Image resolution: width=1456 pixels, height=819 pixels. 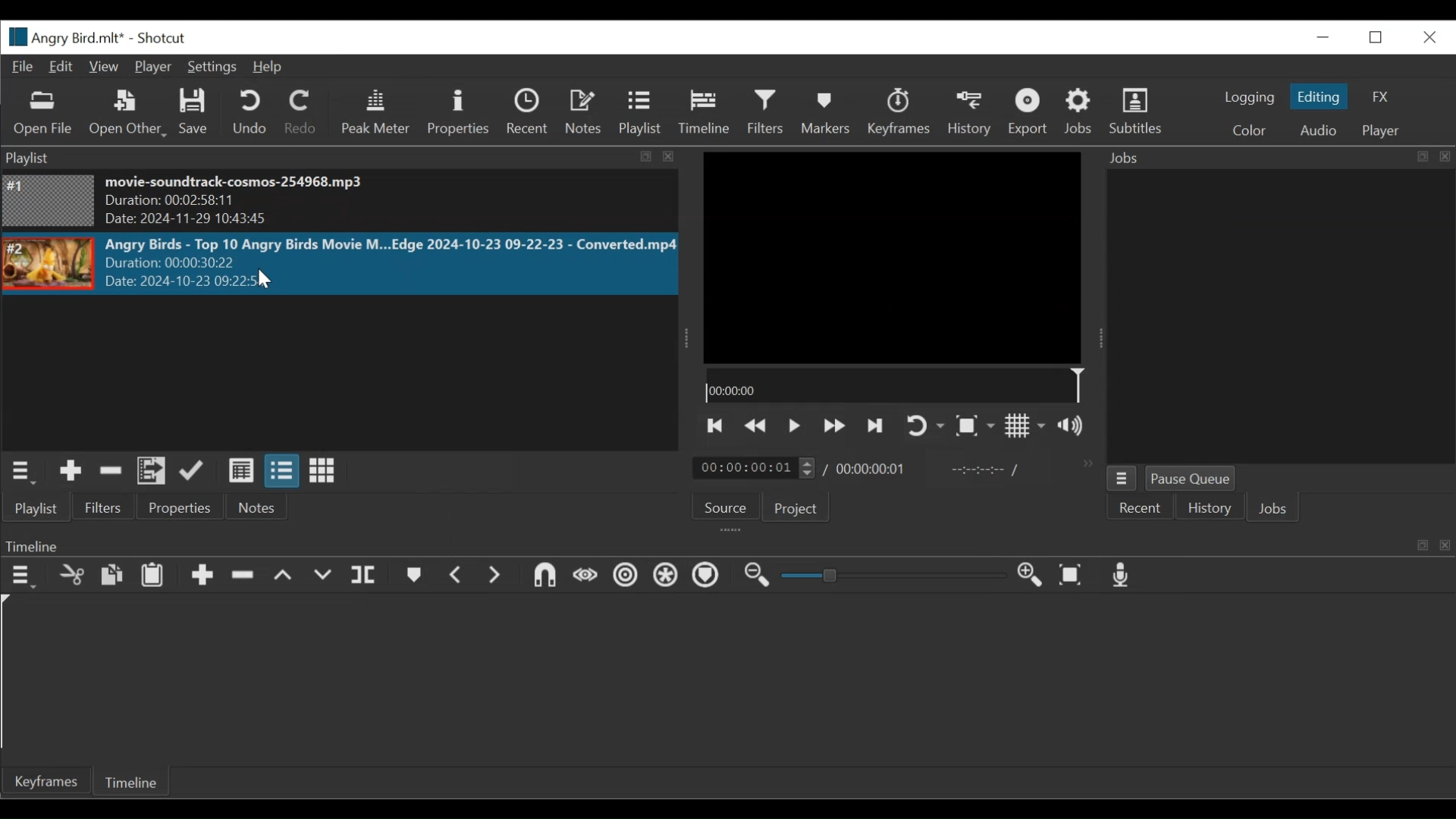 What do you see at coordinates (210, 67) in the screenshot?
I see `Settings` at bounding box center [210, 67].